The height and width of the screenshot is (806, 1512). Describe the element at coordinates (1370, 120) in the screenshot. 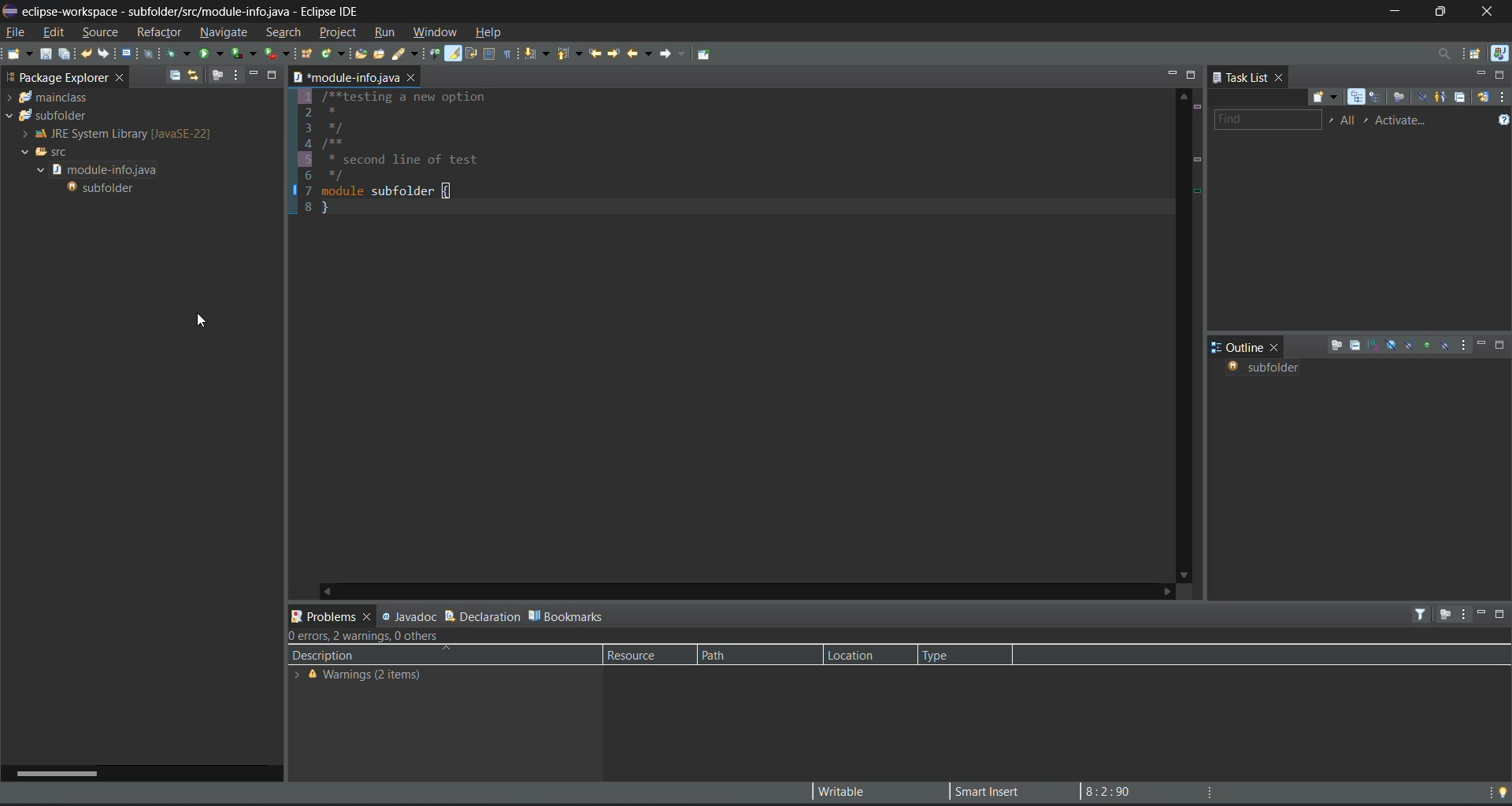

I see `select active task` at that location.